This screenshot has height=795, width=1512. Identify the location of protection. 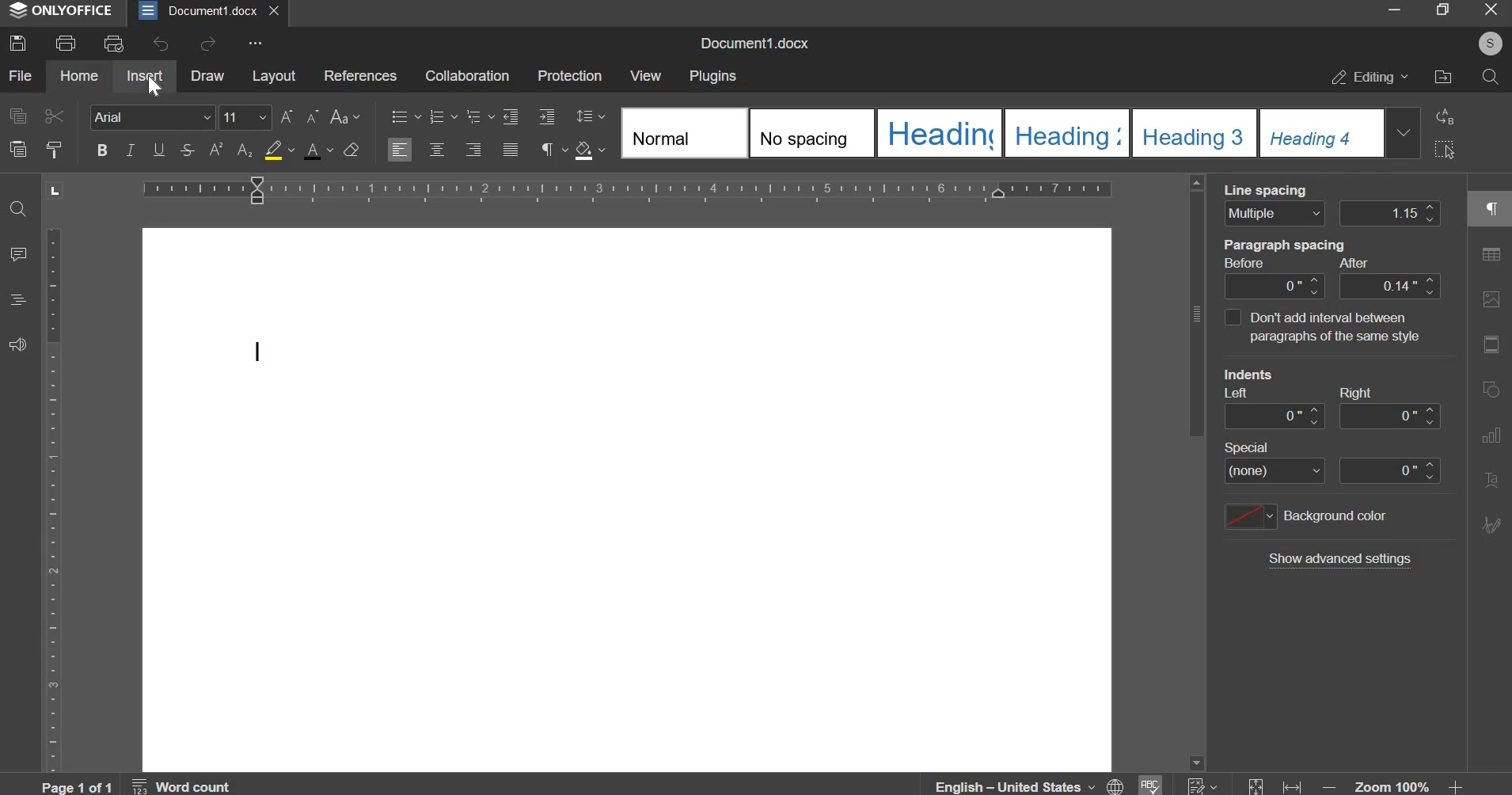
(569, 75).